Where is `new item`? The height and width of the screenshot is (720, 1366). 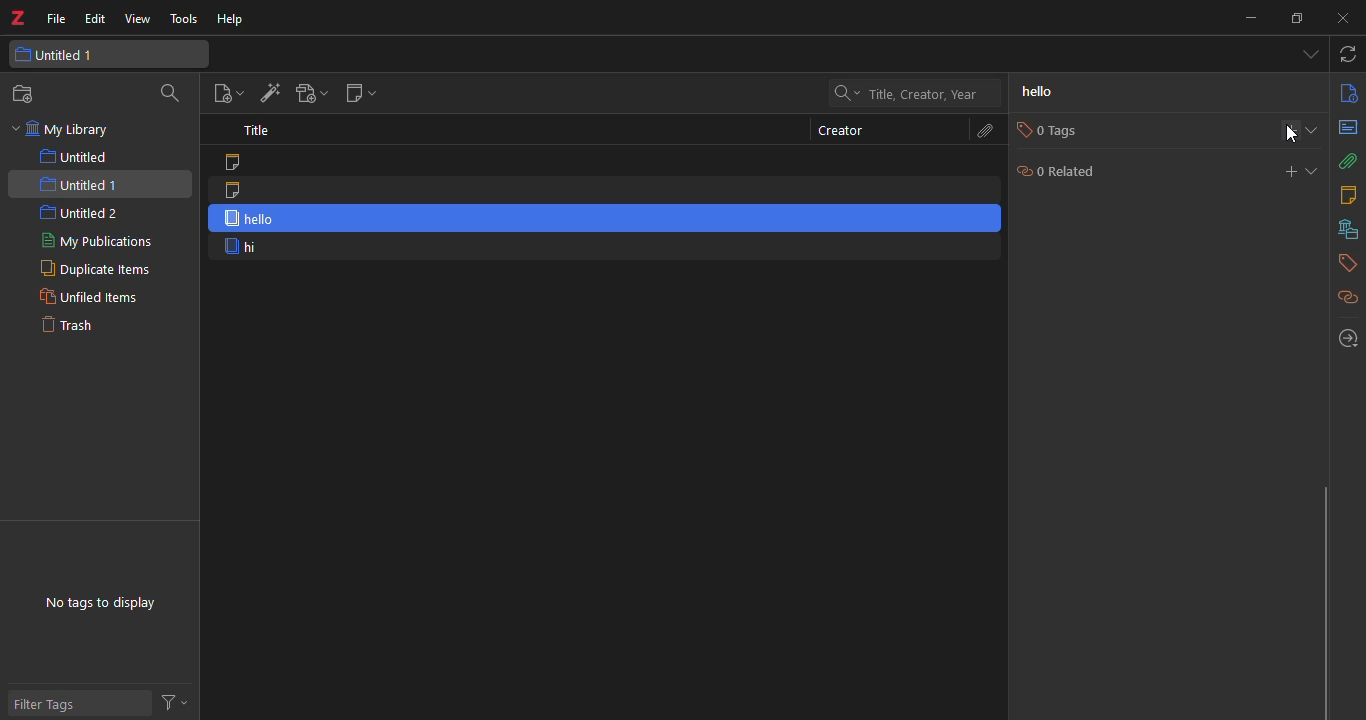 new item is located at coordinates (225, 94).